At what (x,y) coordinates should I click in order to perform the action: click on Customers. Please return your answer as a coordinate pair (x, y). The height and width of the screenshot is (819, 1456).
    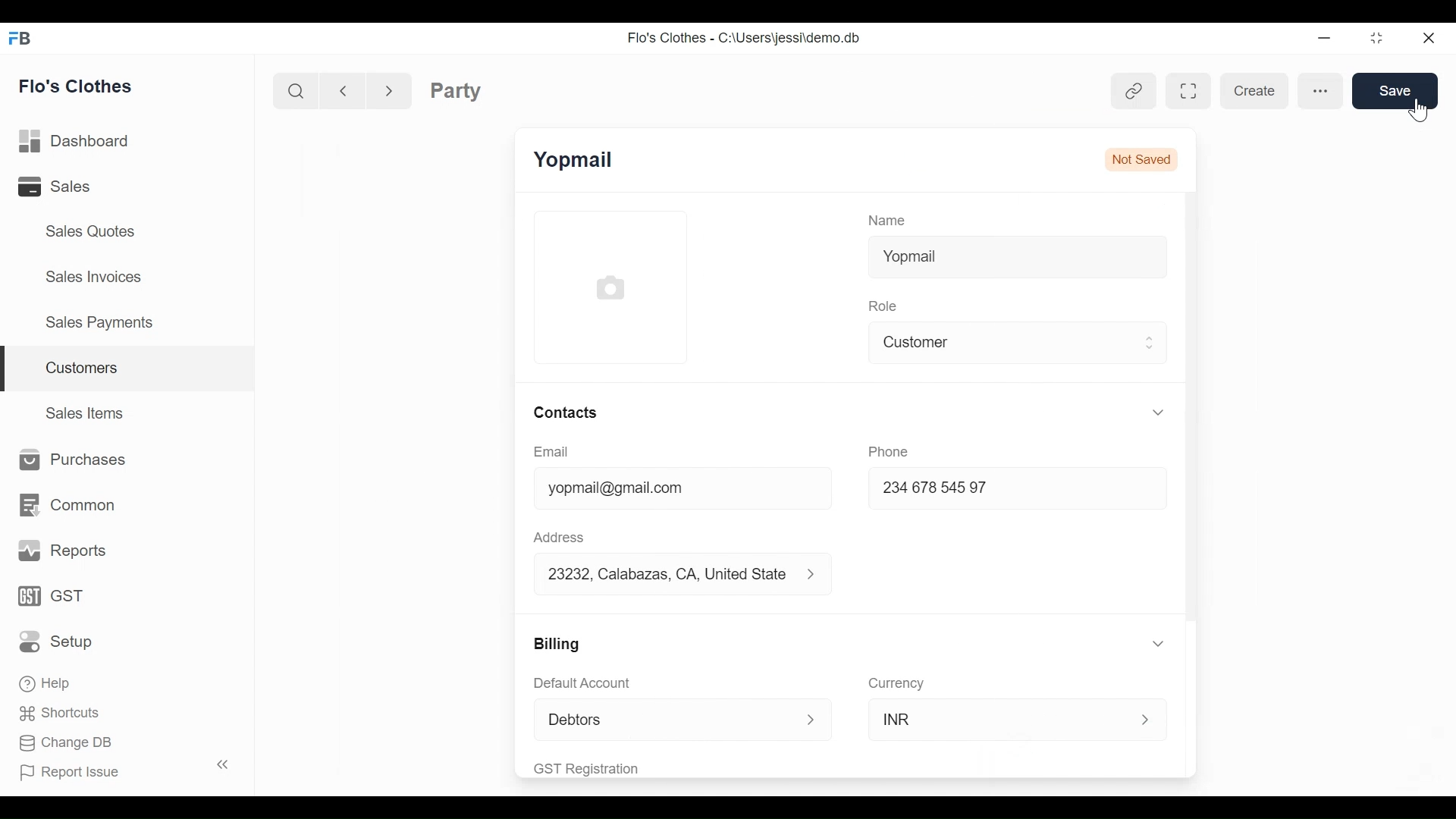
    Looking at the image, I should click on (129, 369).